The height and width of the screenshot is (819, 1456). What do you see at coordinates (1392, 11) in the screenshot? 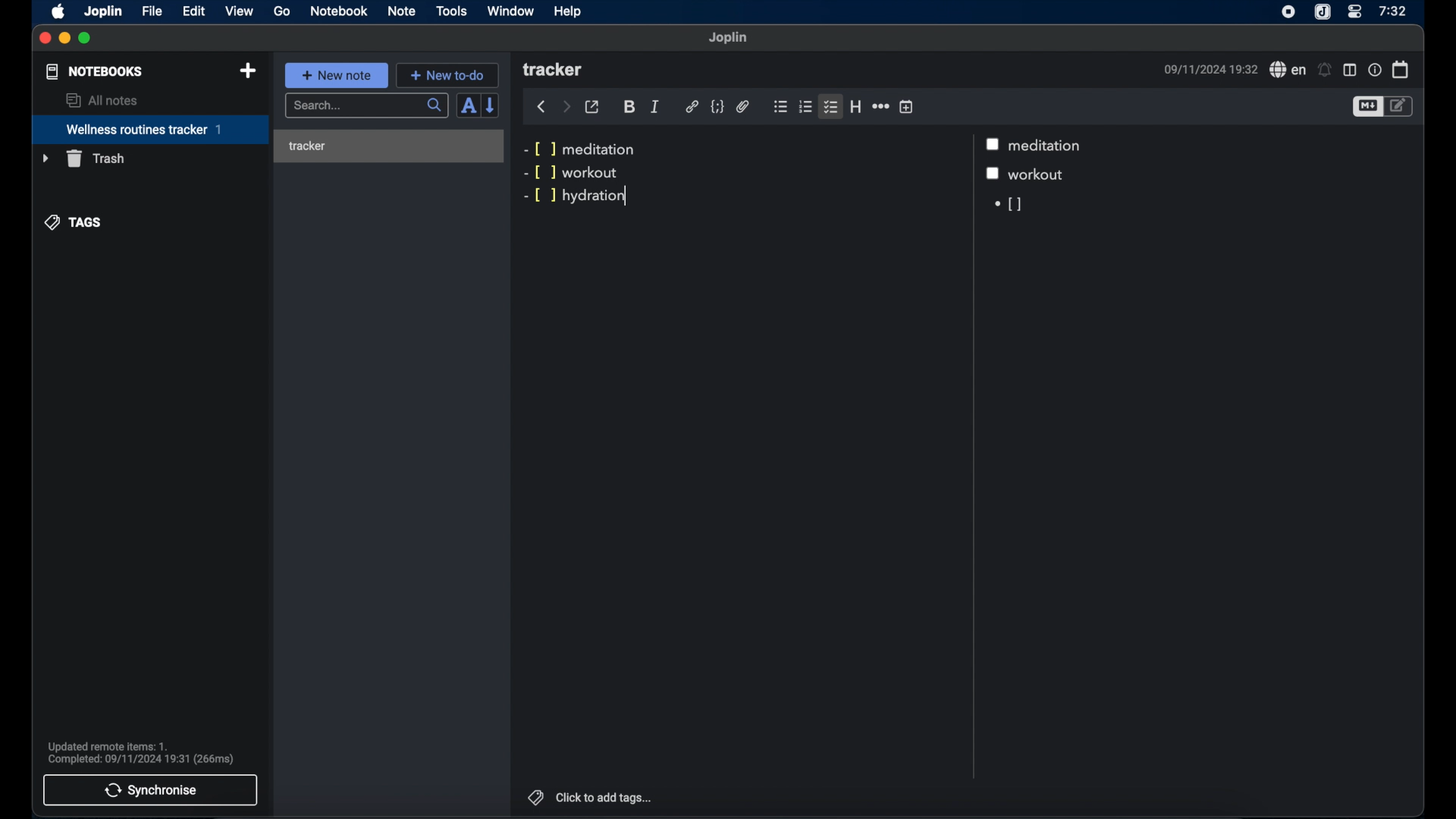
I see `7:32` at bounding box center [1392, 11].